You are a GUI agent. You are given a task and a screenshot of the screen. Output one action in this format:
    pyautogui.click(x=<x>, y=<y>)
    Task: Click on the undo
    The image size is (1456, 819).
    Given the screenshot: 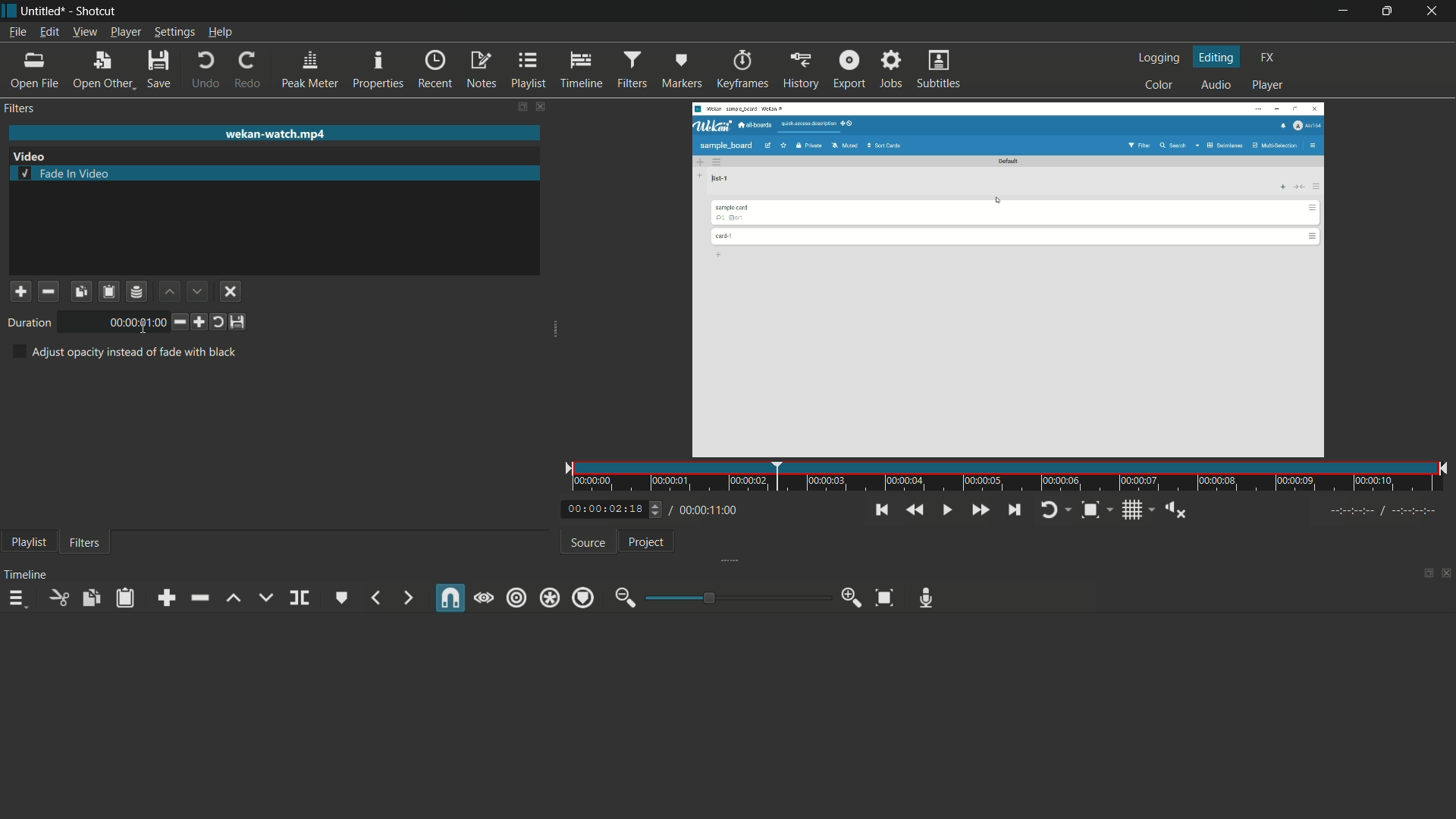 What is the action you would take?
    pyautogui.click(x=206, y=71)
    